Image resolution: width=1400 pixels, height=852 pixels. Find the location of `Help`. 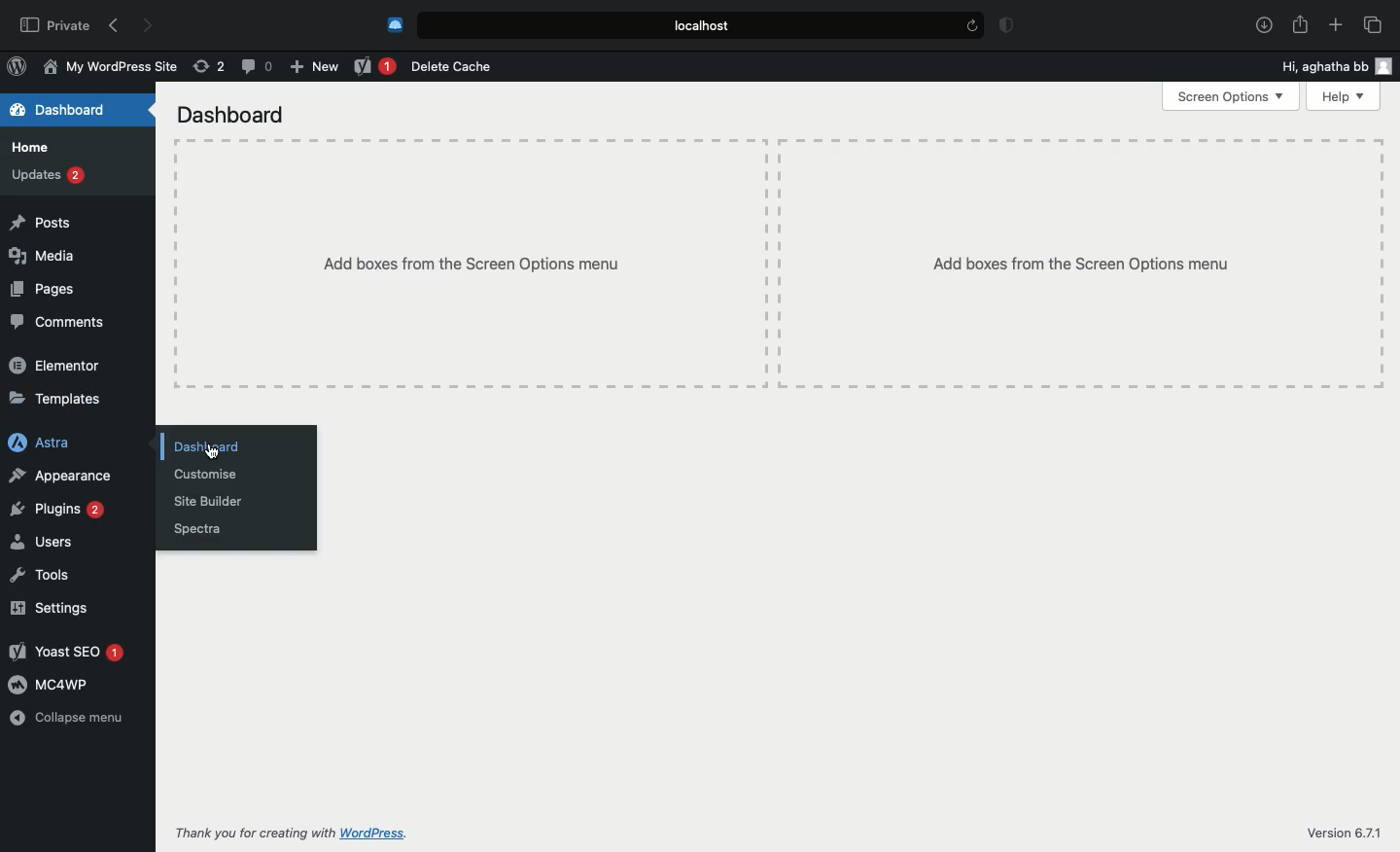

Help is located at coordinates (1343, 96).